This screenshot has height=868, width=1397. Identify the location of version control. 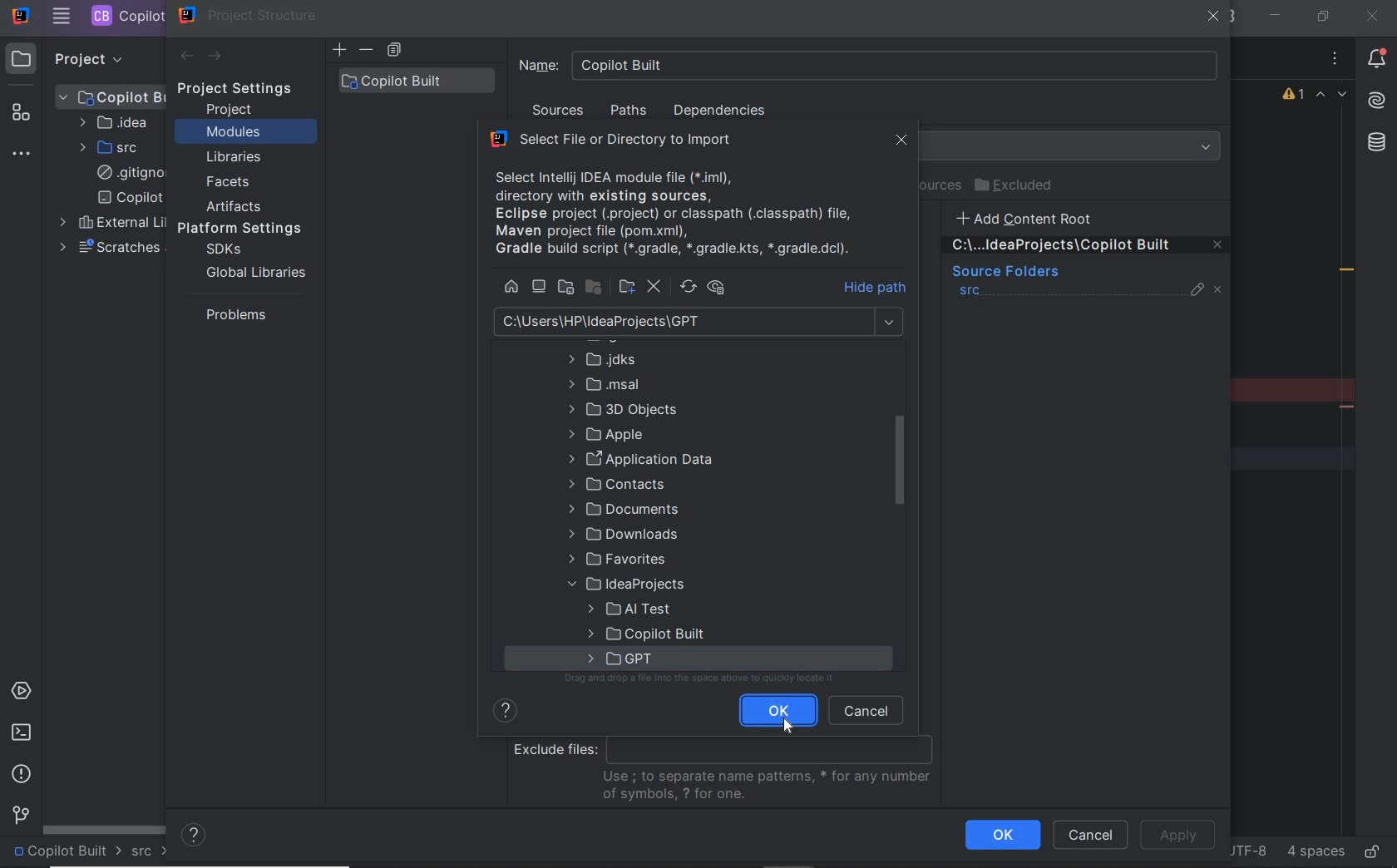
(18, 816).